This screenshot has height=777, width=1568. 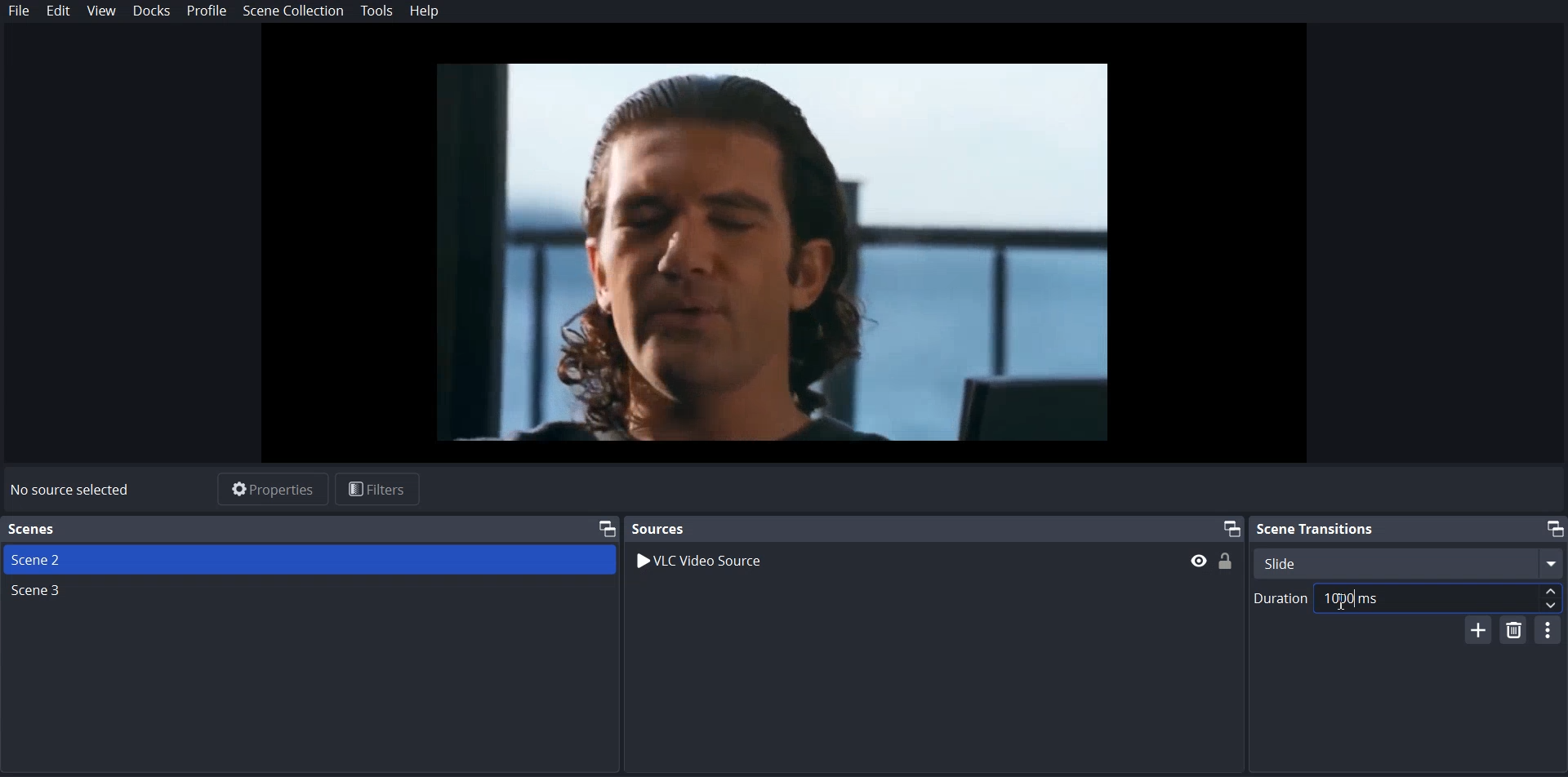 What do you see at coordinates (19, 10) in the screenshot?
I see `File` at bounding box center [19, 10].